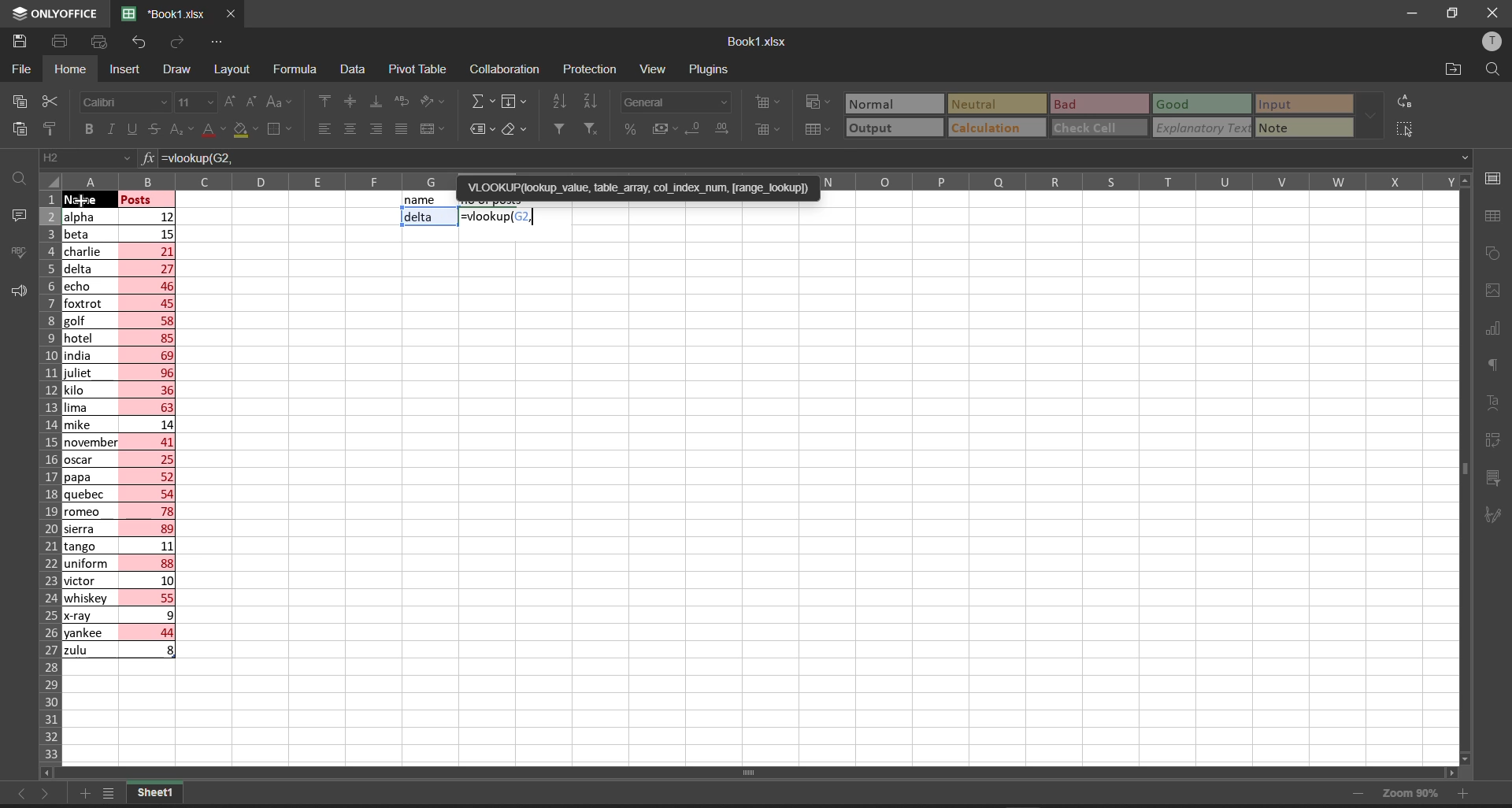  I want to click on align center, so click(349, 102).